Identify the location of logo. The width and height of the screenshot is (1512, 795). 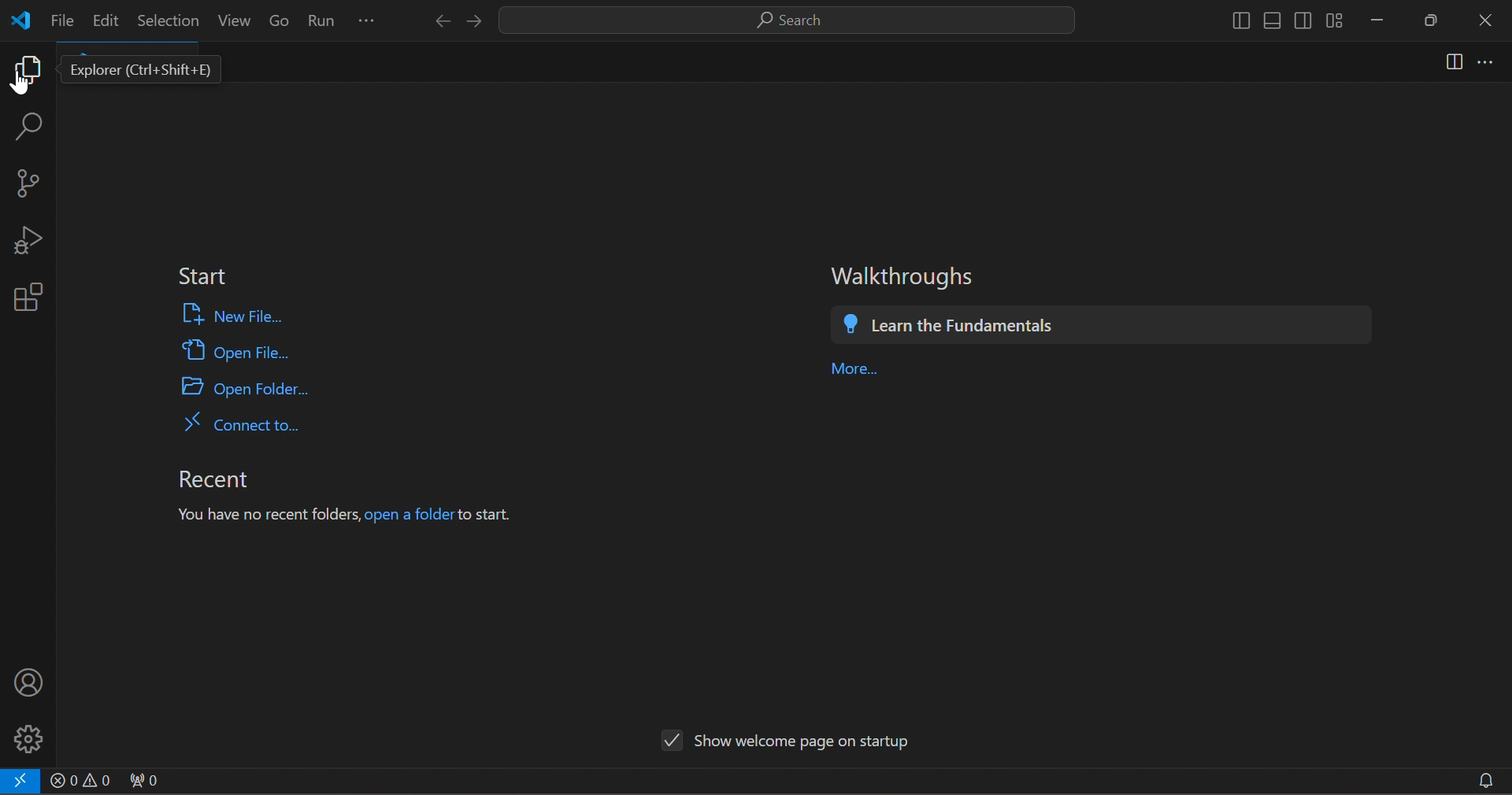
(25, 20).